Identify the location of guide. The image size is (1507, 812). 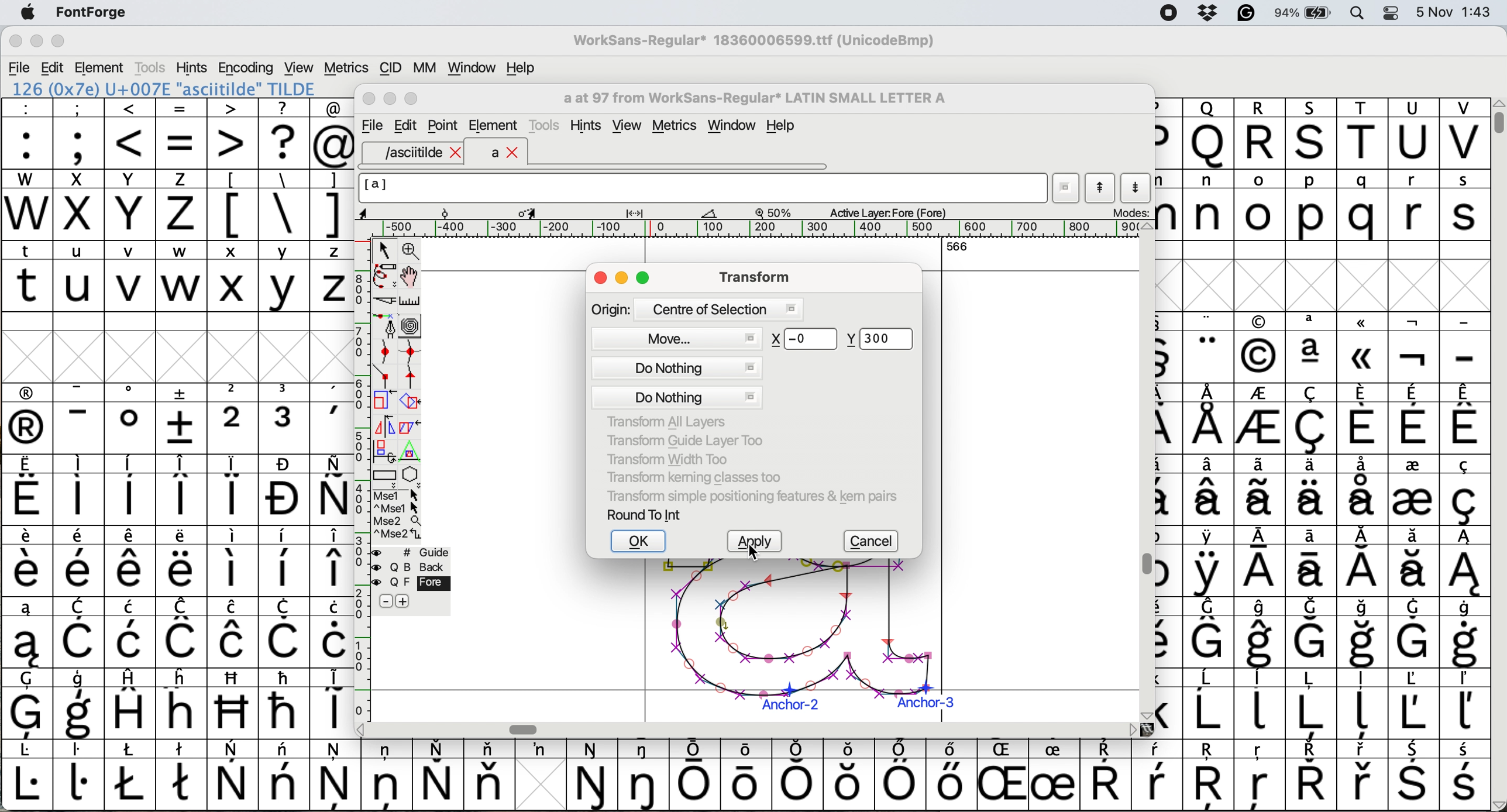
(418, 550).